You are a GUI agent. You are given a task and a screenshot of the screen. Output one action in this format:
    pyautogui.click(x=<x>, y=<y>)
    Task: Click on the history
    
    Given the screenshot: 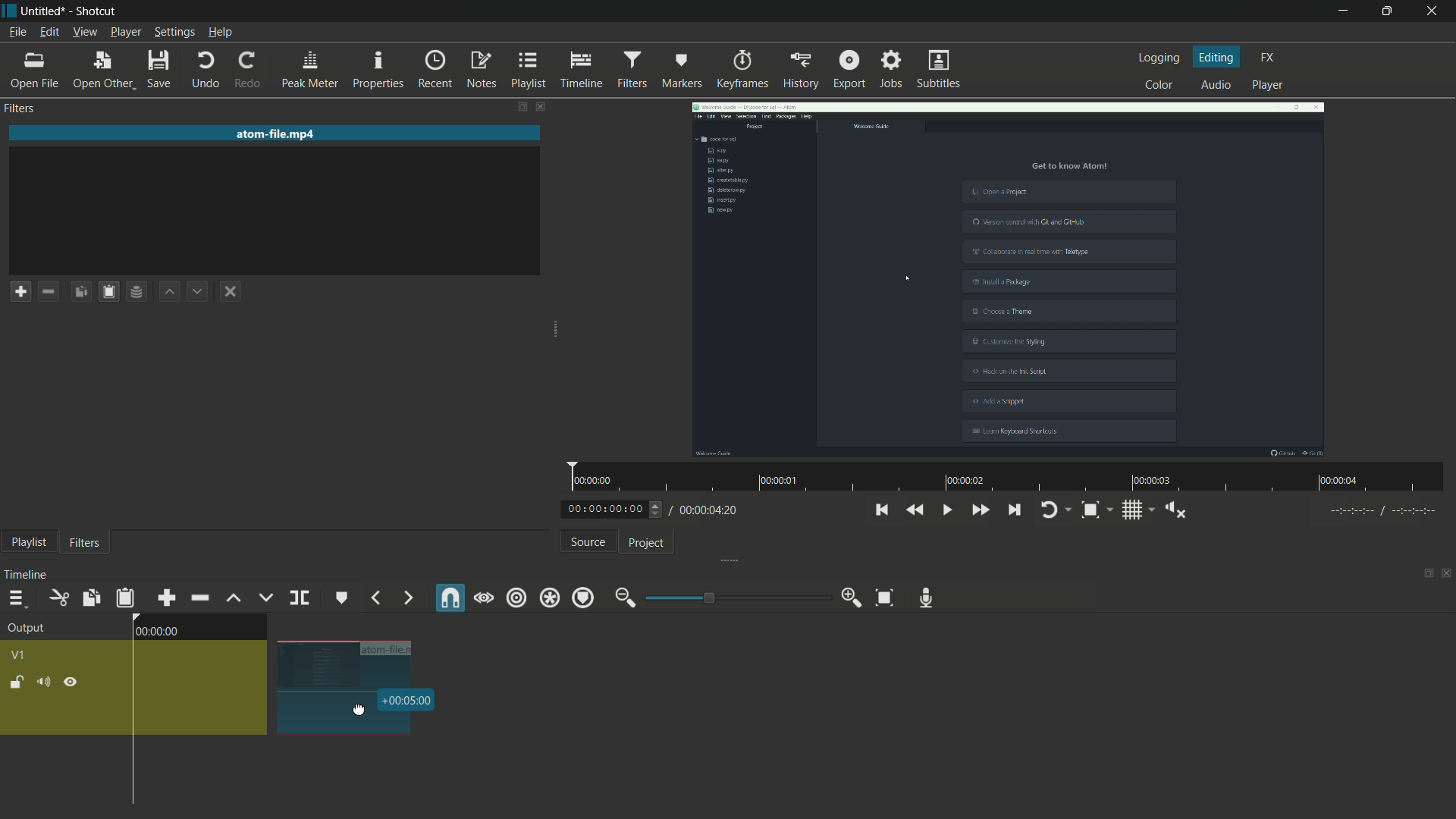 What is the action you would take?
    pyautogui.click(x=802, y=68)
    